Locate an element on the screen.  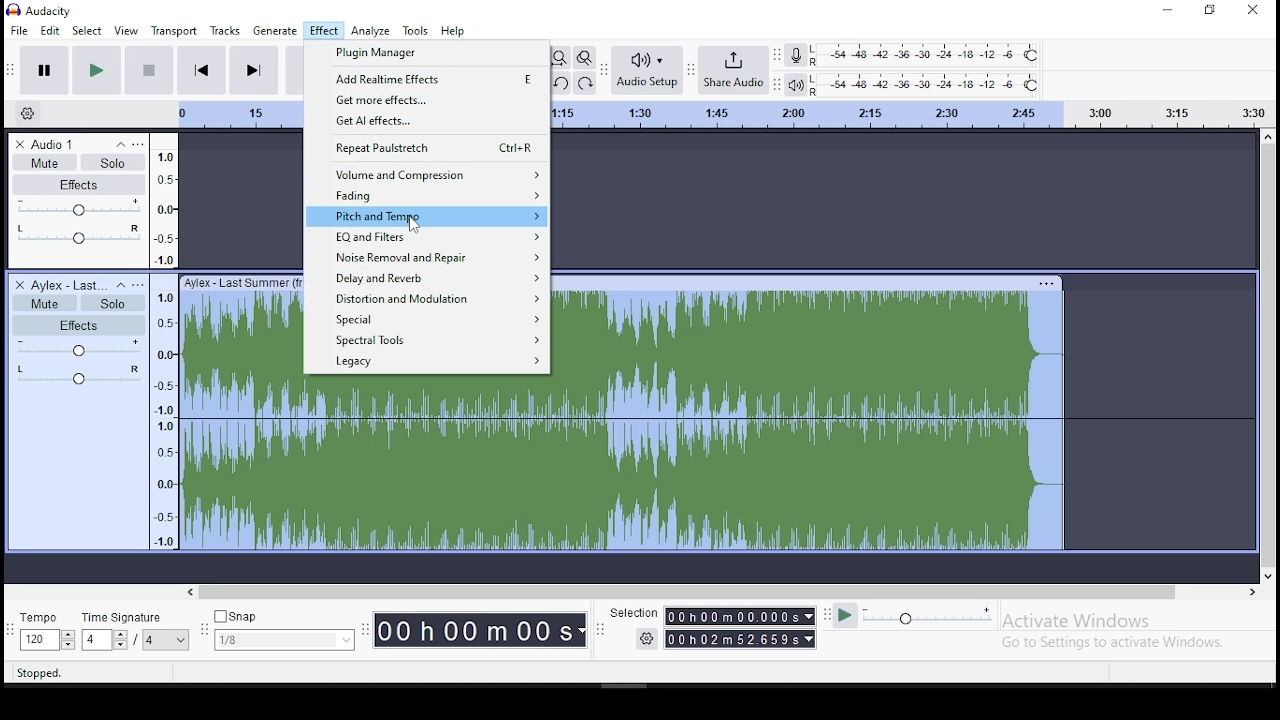
get more effects is located at coordinates (428, 100).